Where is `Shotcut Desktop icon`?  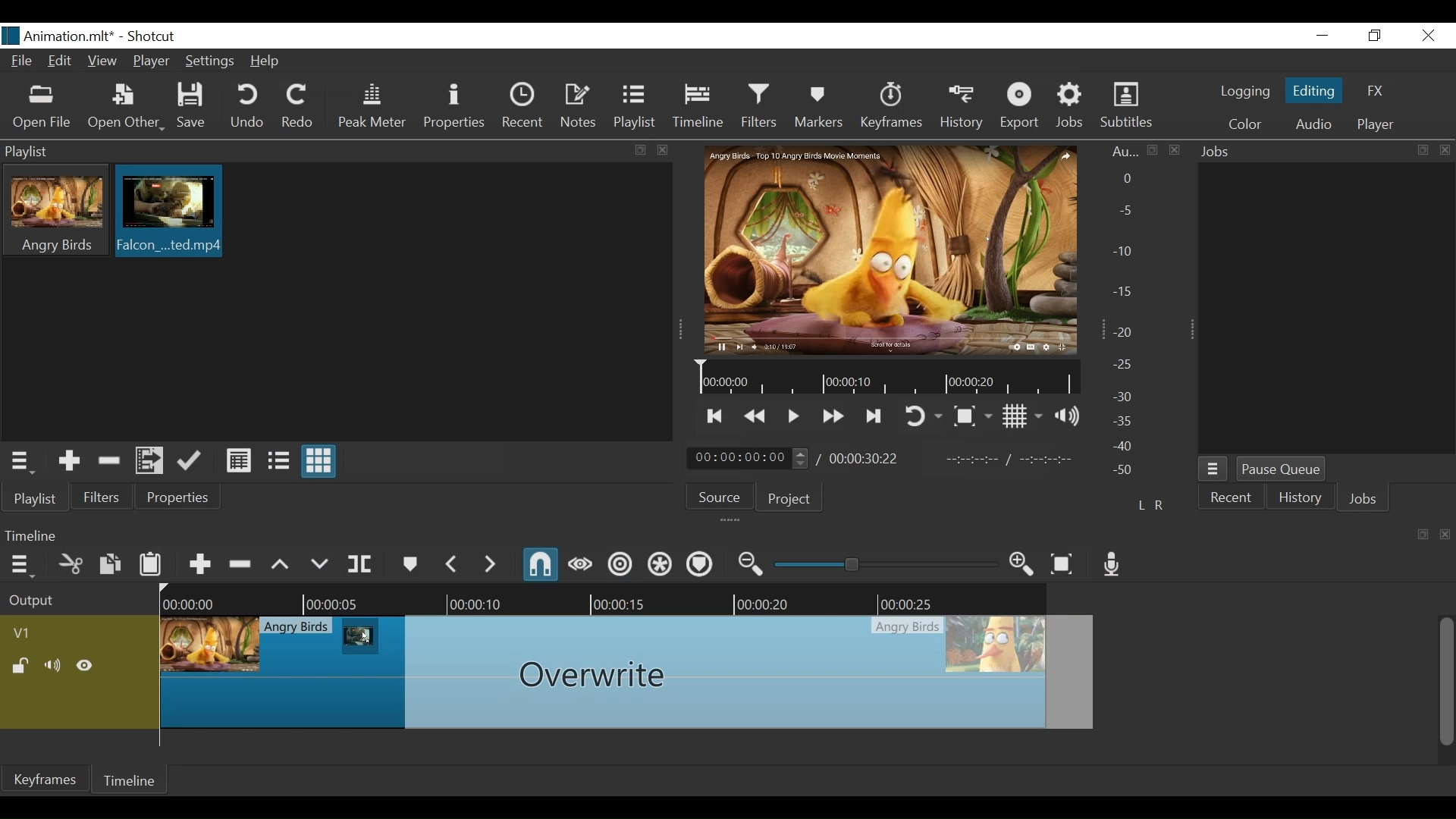
Shotcut Desktop icon is located at coordinates (11, 36).